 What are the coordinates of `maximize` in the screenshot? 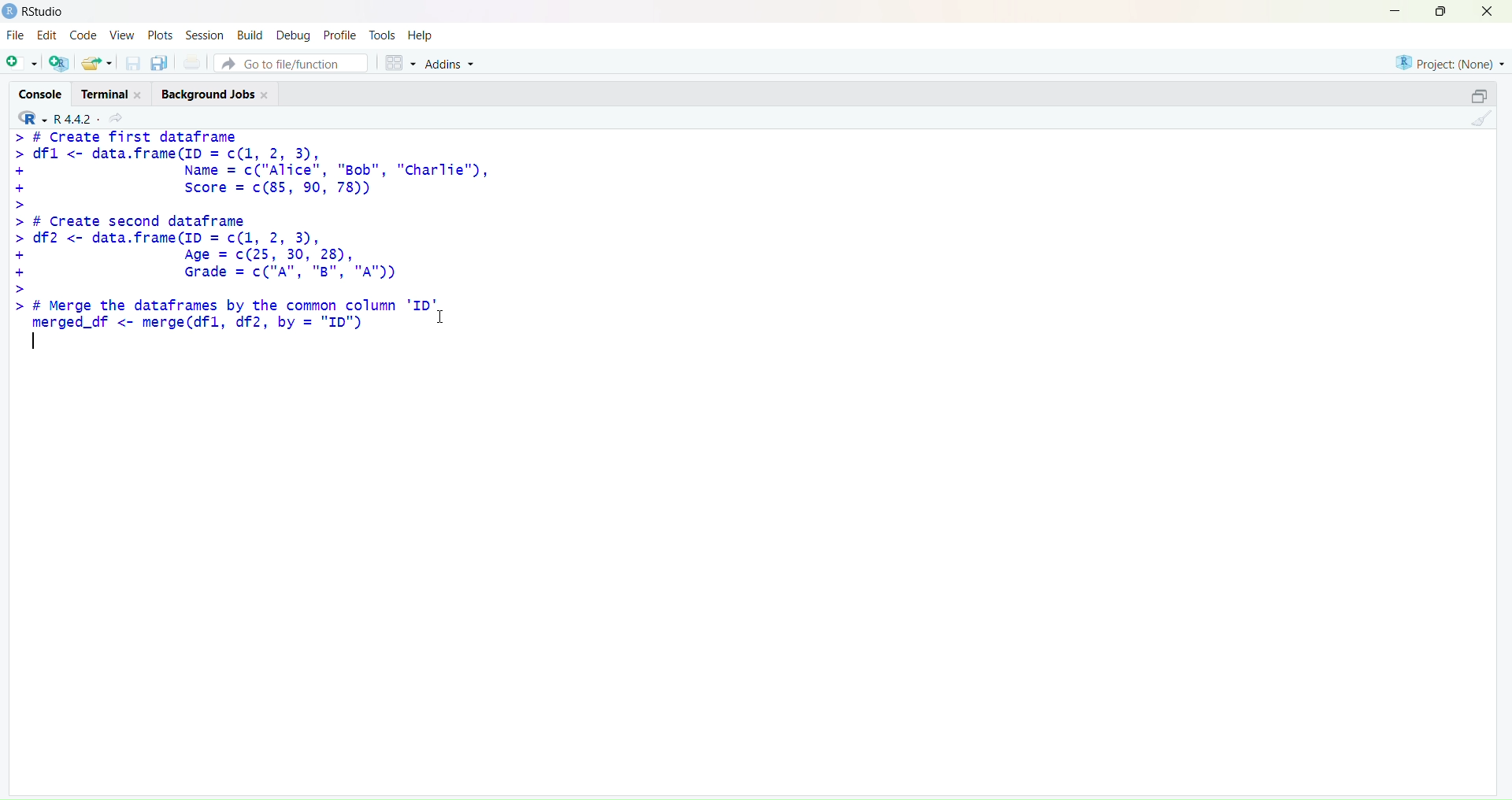 It's located at (1479, 94).